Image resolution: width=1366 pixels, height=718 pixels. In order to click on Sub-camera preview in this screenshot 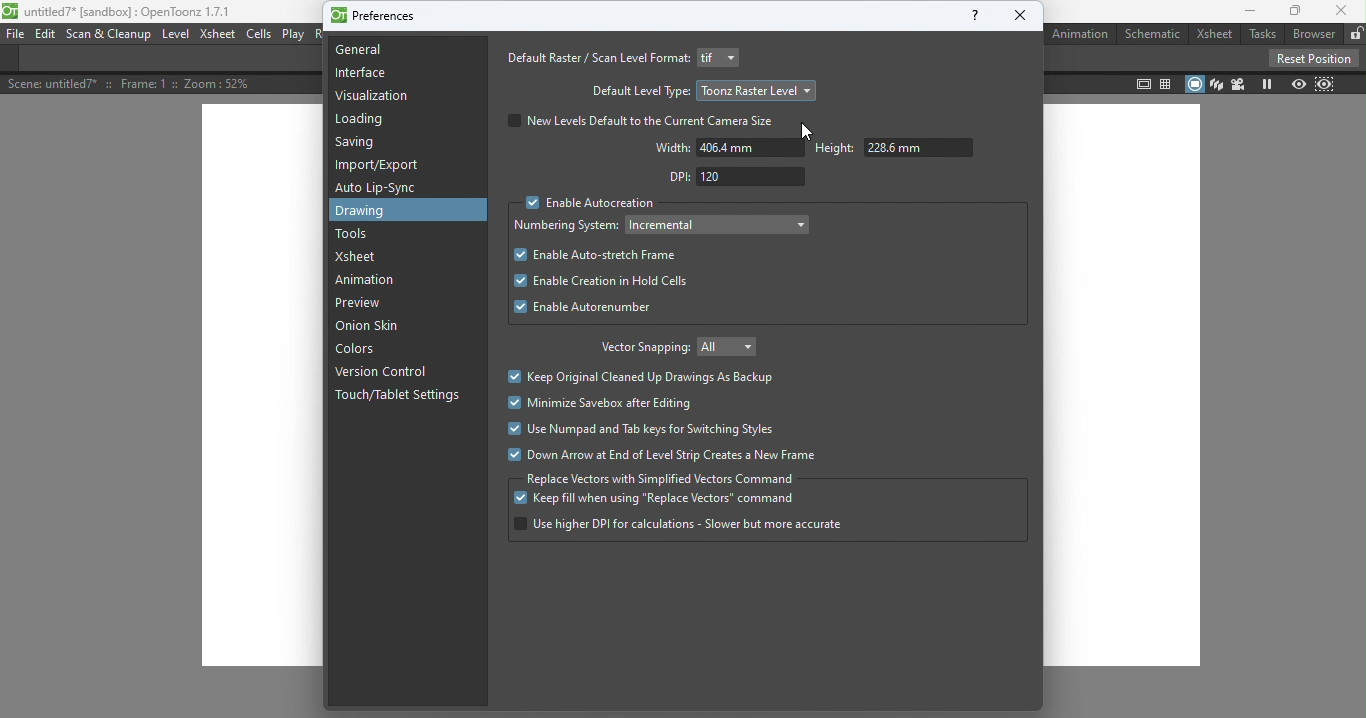, I will do `click(1324, 85)`.